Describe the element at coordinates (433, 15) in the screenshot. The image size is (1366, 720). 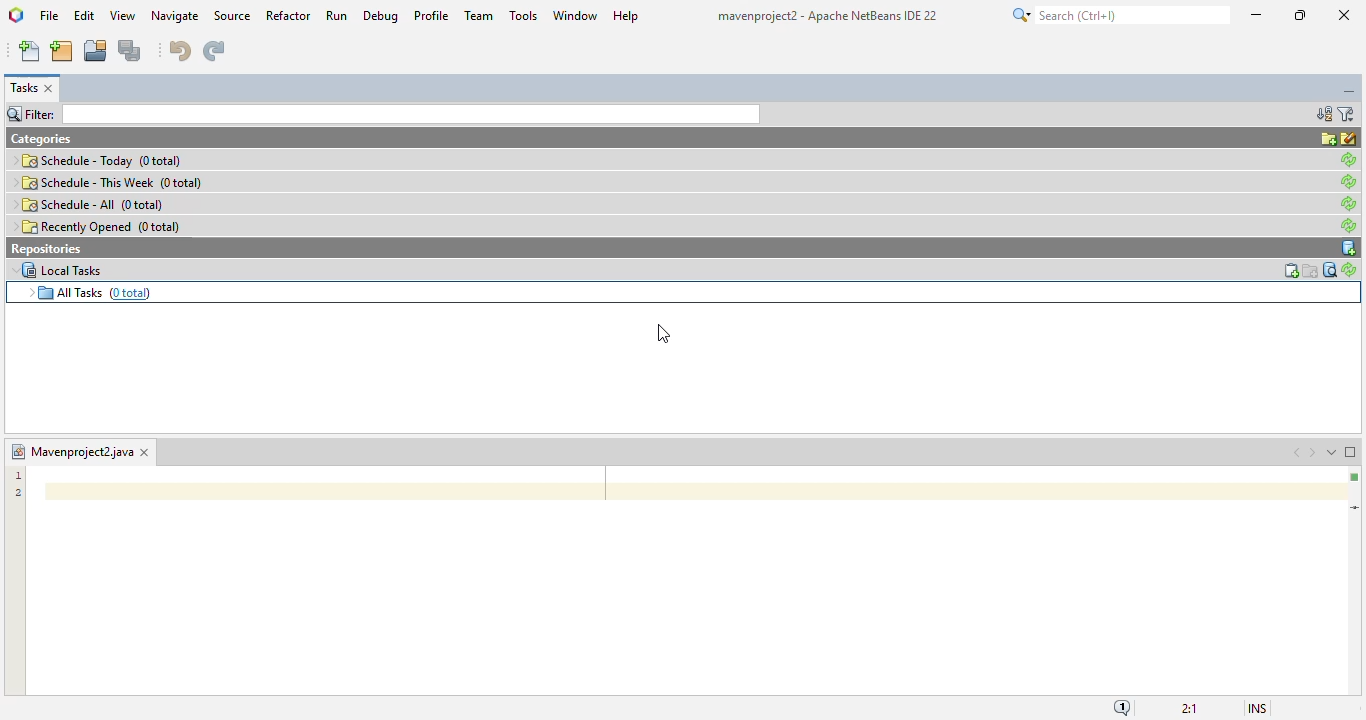
I see `profile` at that location.